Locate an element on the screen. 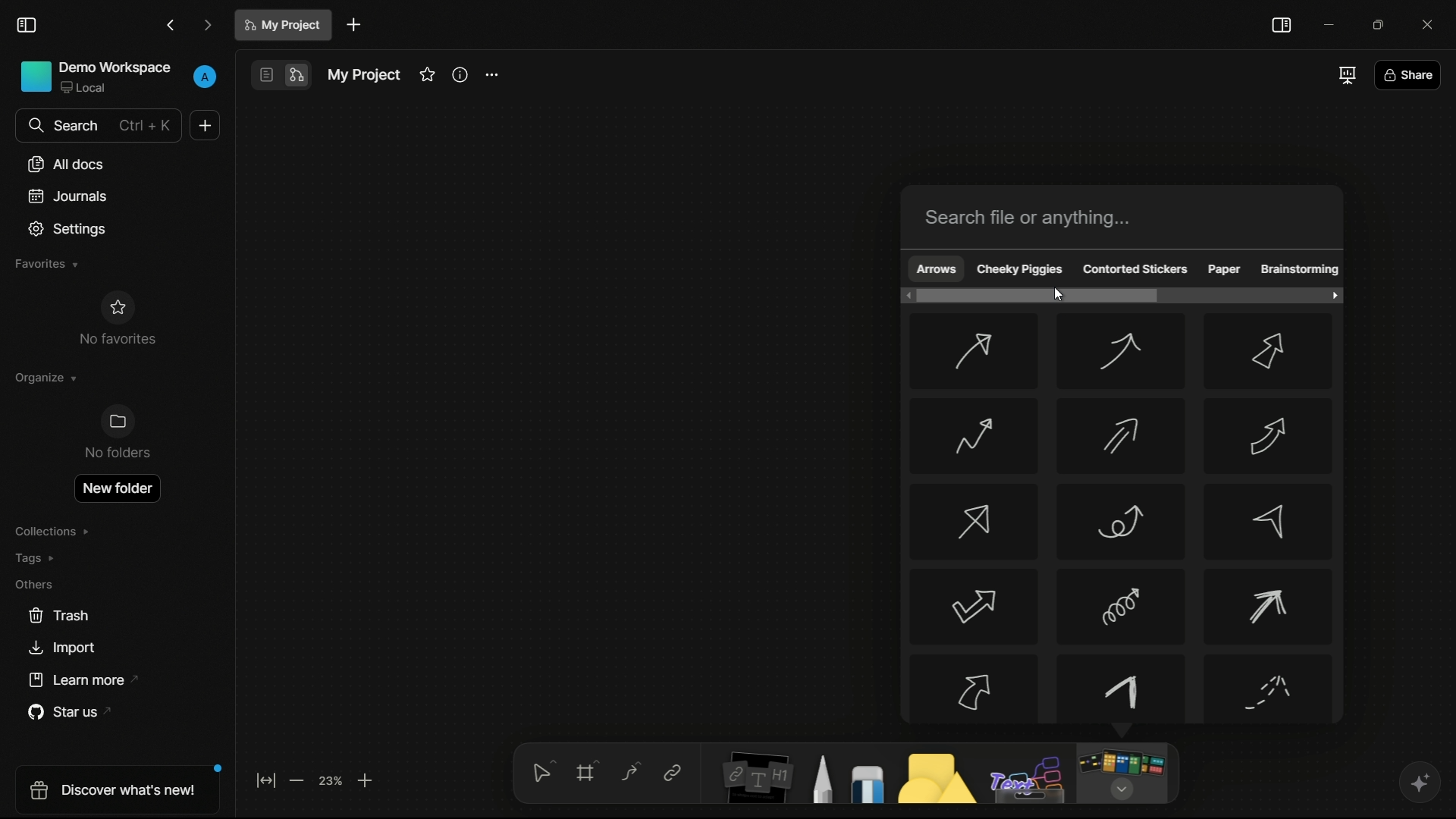 The height and width of the screenshot is (819, 1456). learn more is located at coordinates (86, 680).